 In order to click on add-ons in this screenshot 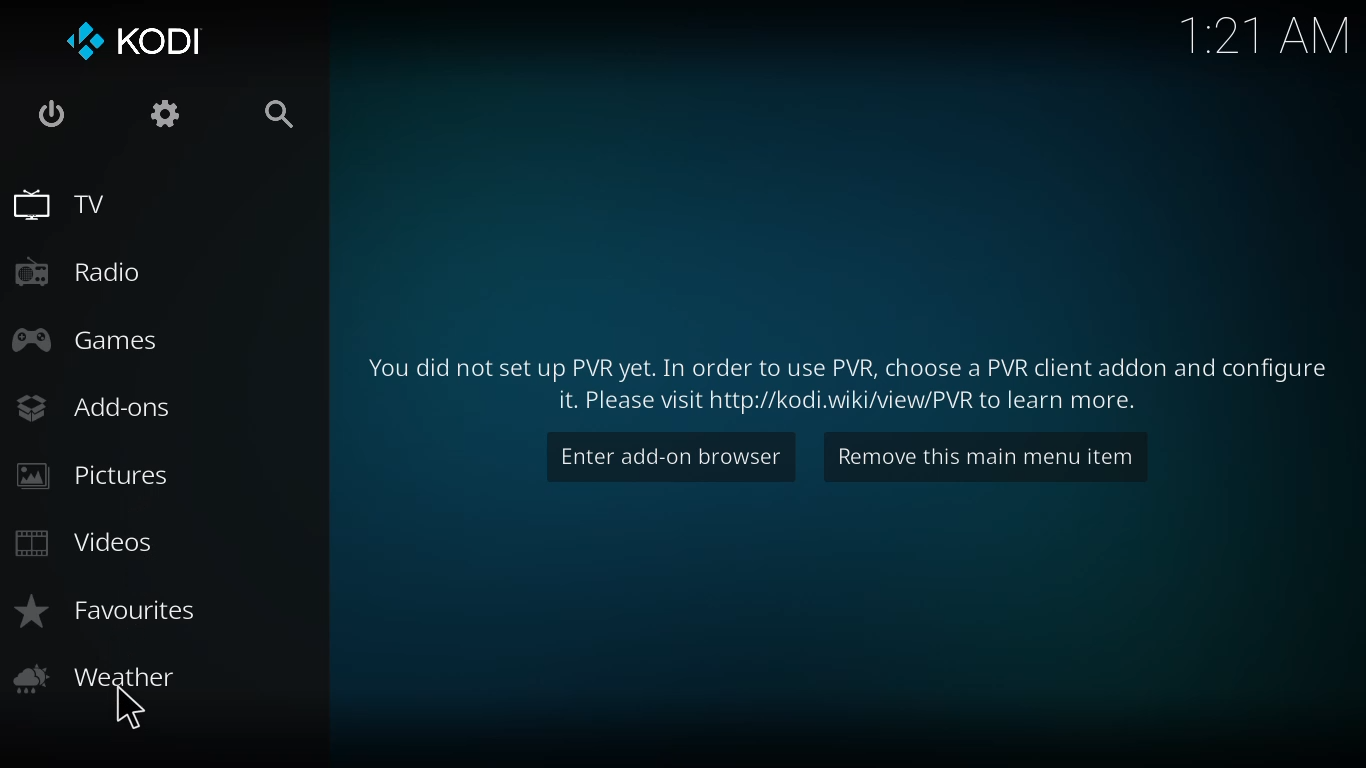, I will do `click(94, 407)`.